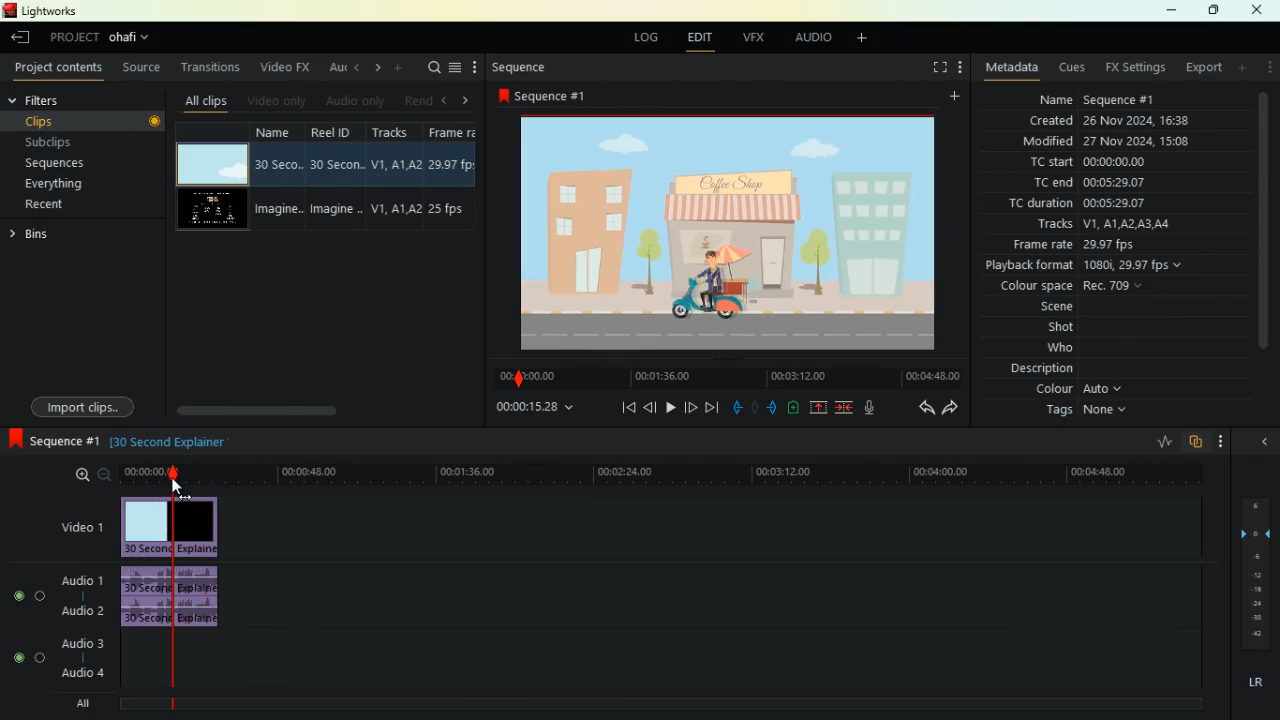 Image resolution: width=1280 pixels, height=720 pixels. Describe the element at coordinates (1226, 440) in the screenshot. I see `menu` at that location.